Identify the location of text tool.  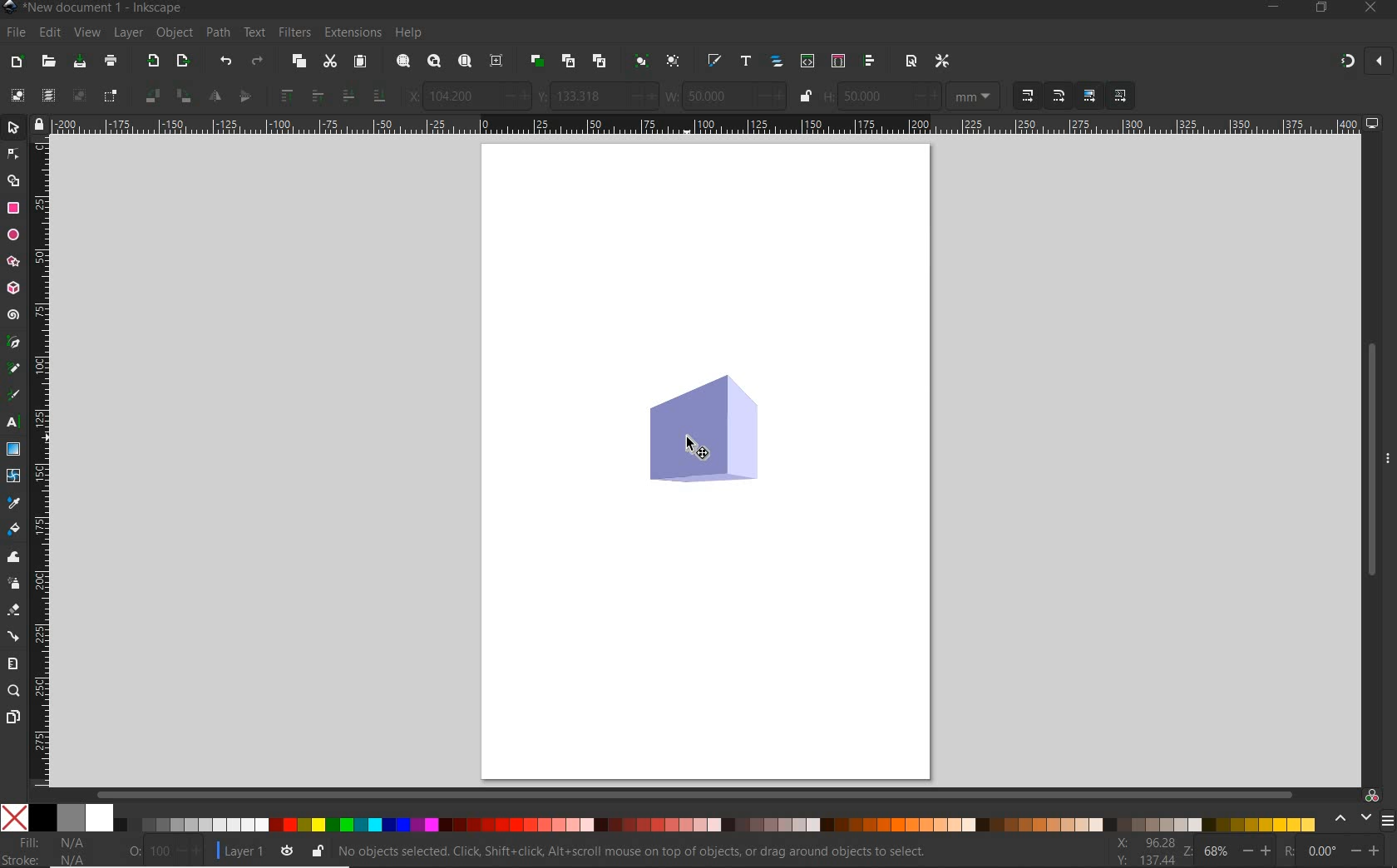
(12, 424).